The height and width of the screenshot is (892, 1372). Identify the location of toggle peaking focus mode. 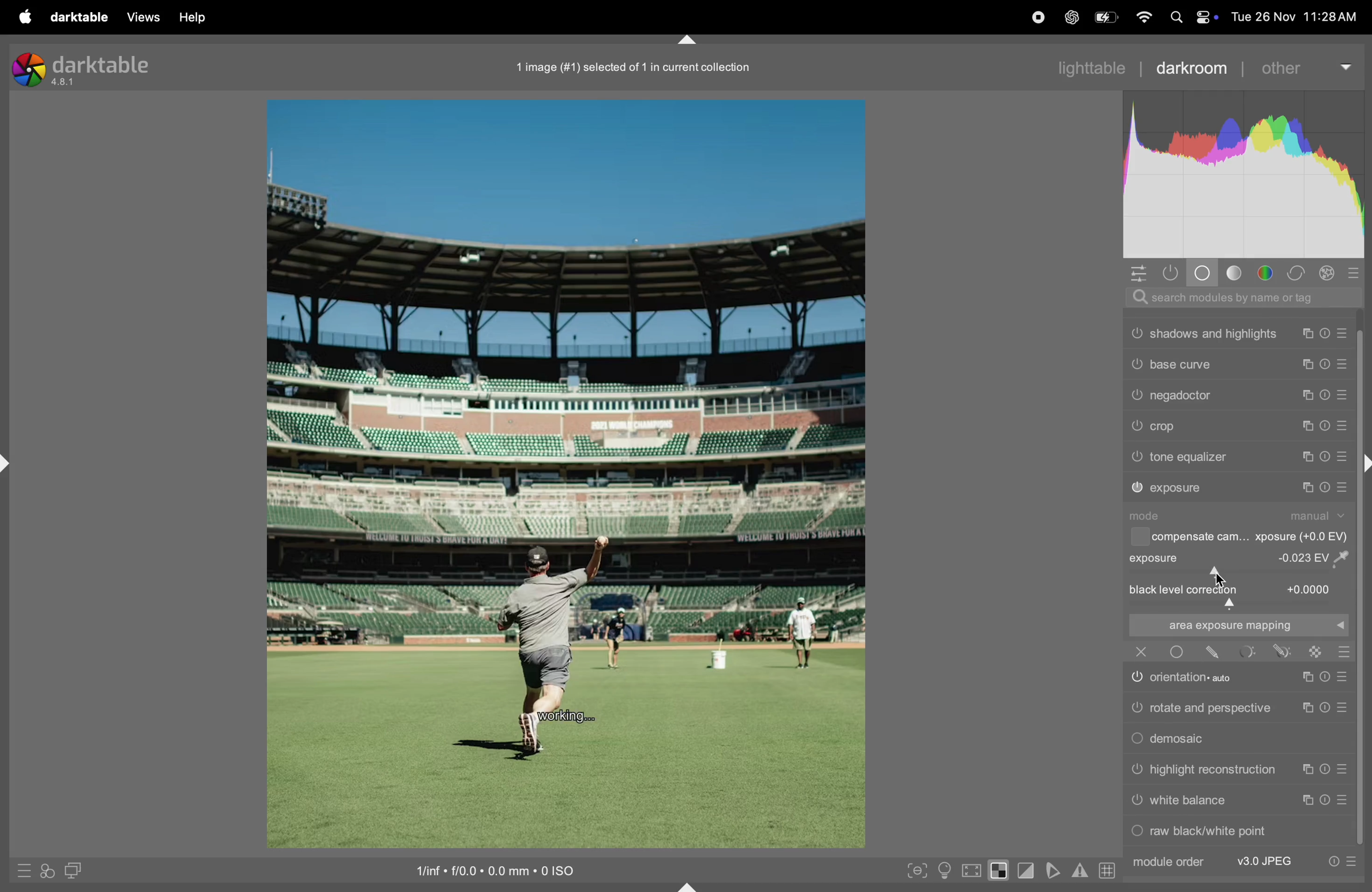
(914, 869).